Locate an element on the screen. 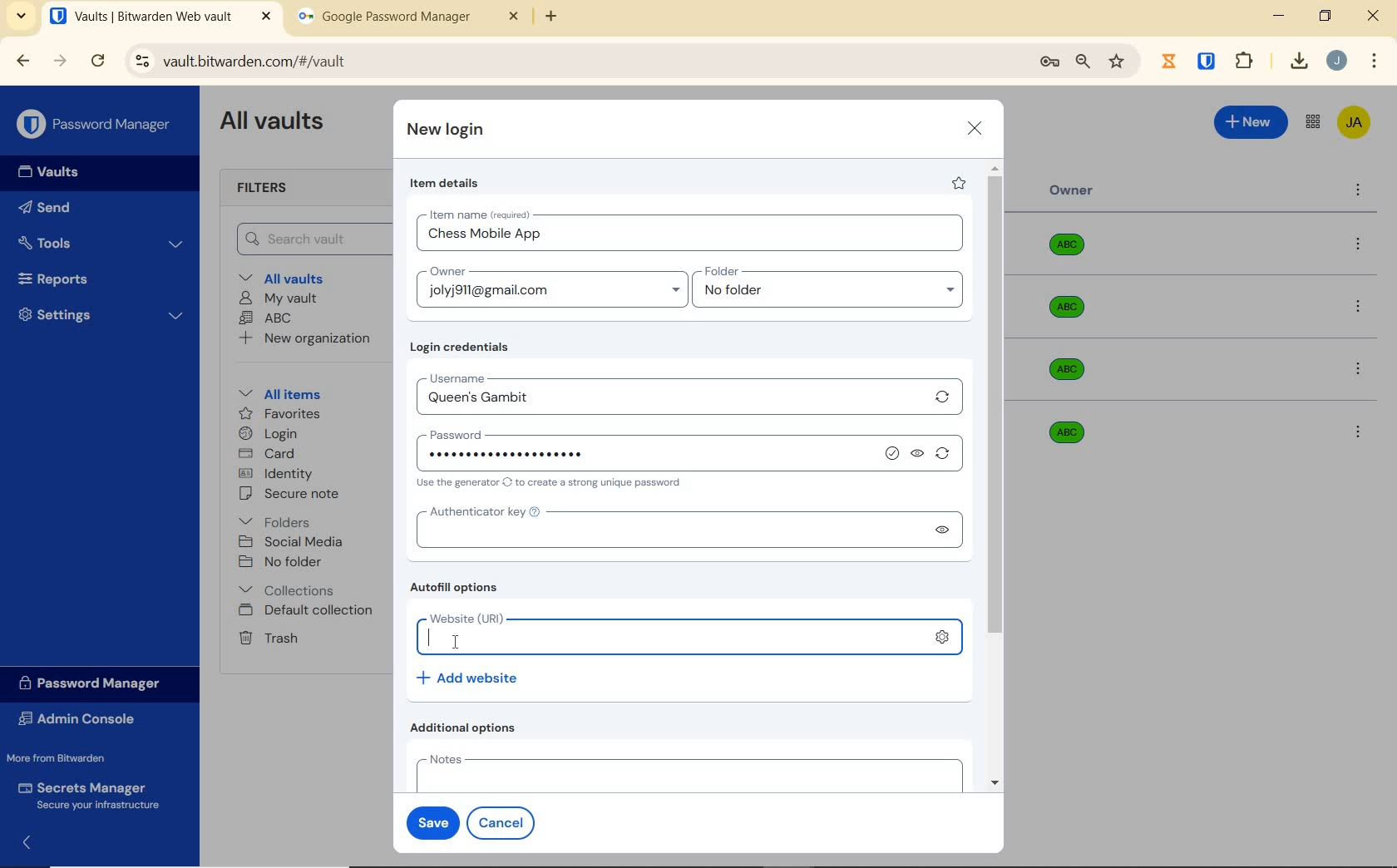  item details is located at coordinates (445, 184).